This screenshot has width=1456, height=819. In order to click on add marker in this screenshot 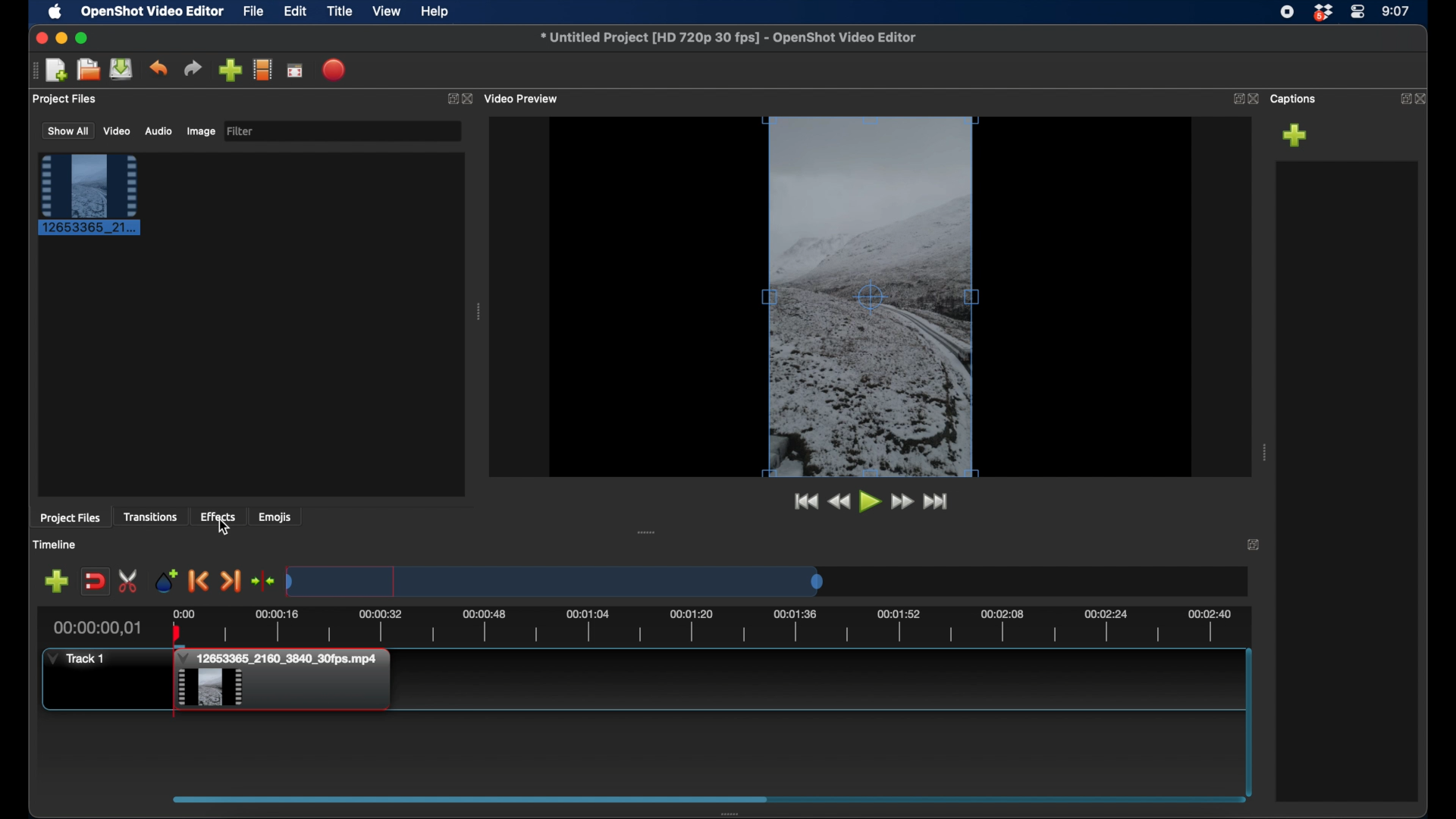, I will do `click(56, 582)`.